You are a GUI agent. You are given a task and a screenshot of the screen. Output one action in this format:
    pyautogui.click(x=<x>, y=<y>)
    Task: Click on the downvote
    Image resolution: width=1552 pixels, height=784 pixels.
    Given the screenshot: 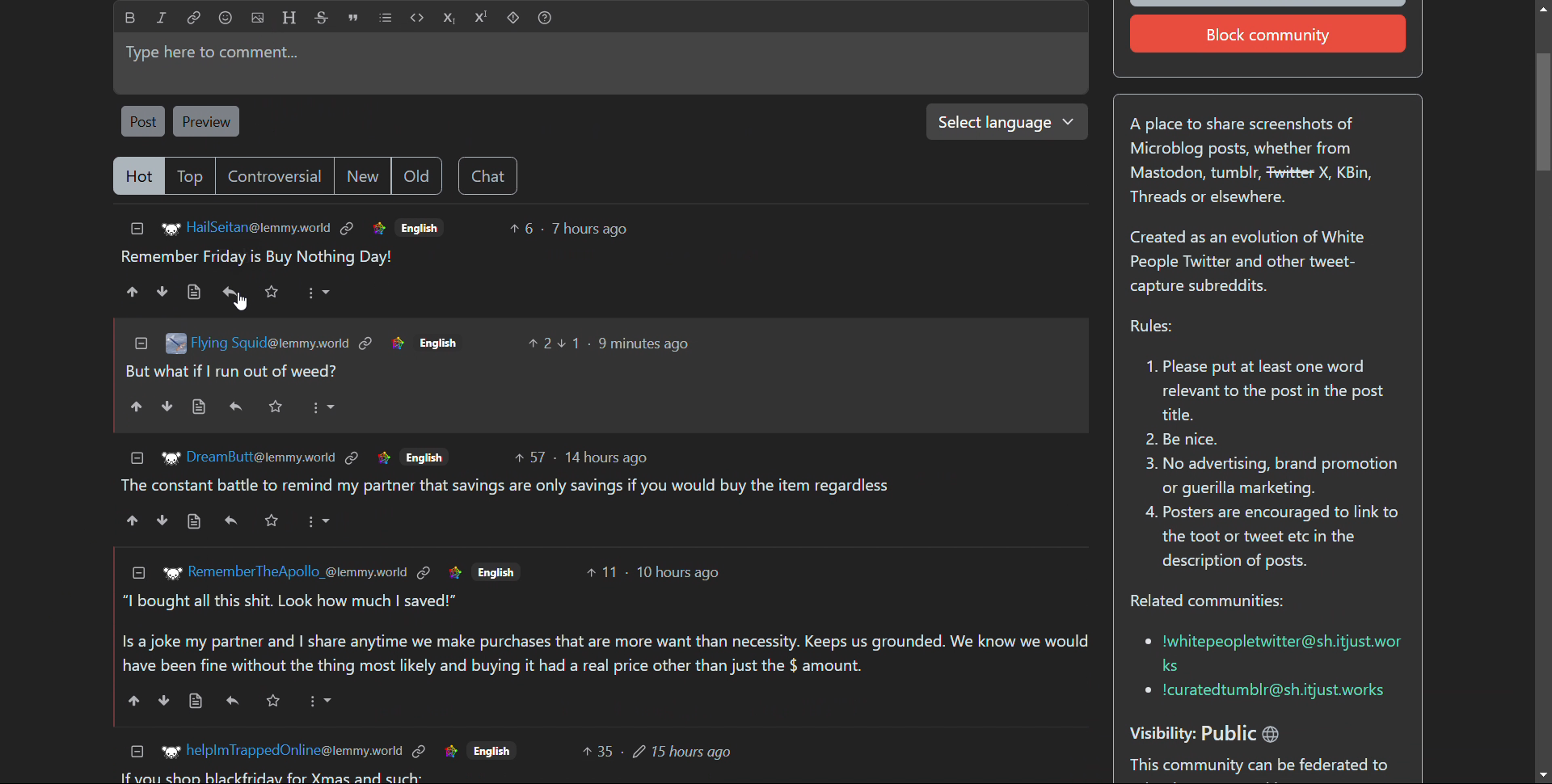 What is the action you would take?
    pyautogui.click(x=163, y=700)
    